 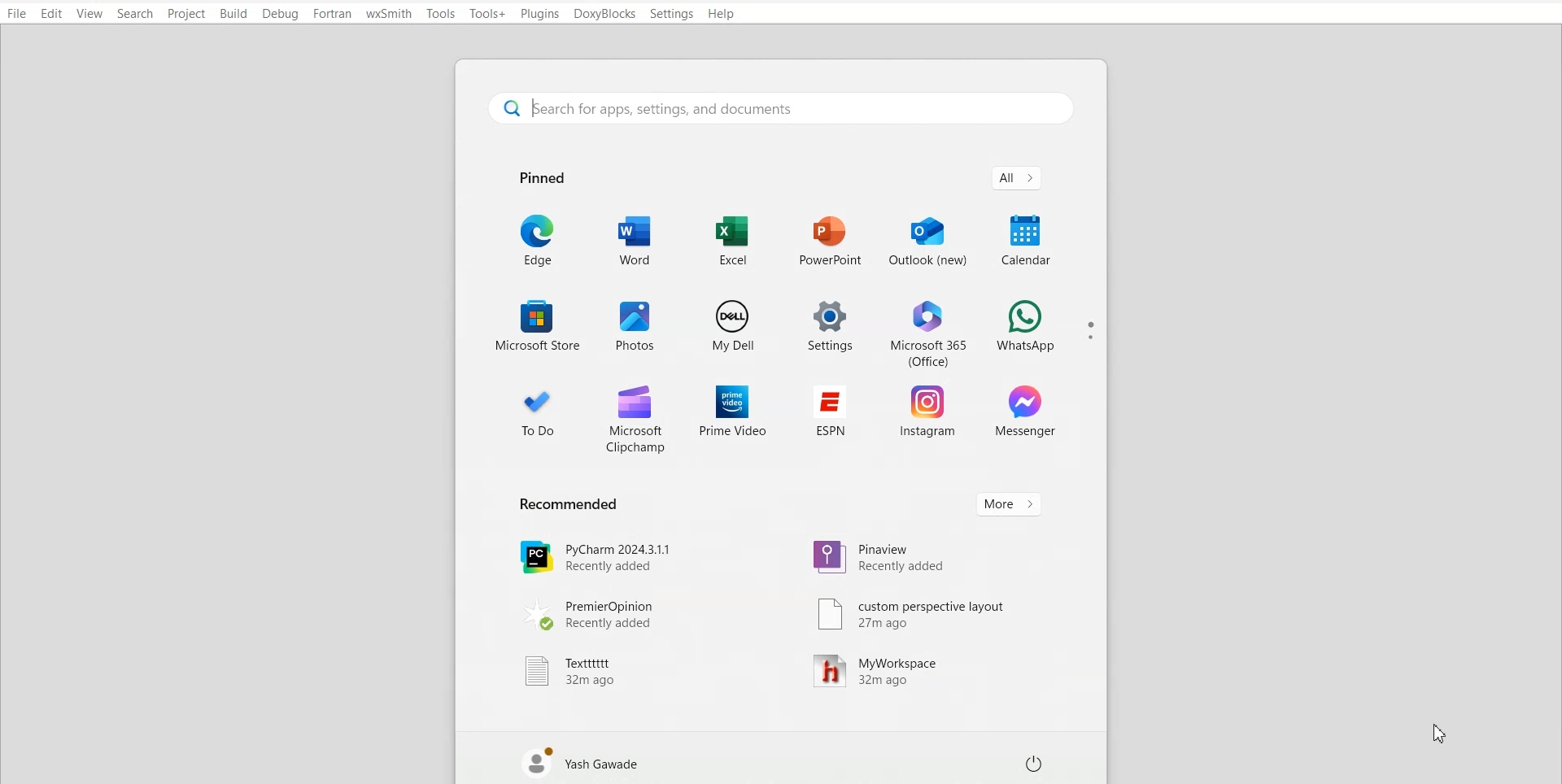 What do you see at coordinates (1025, 327) in the screenshot?
I see `WhatsApp` at bounding box center [1025, 327].